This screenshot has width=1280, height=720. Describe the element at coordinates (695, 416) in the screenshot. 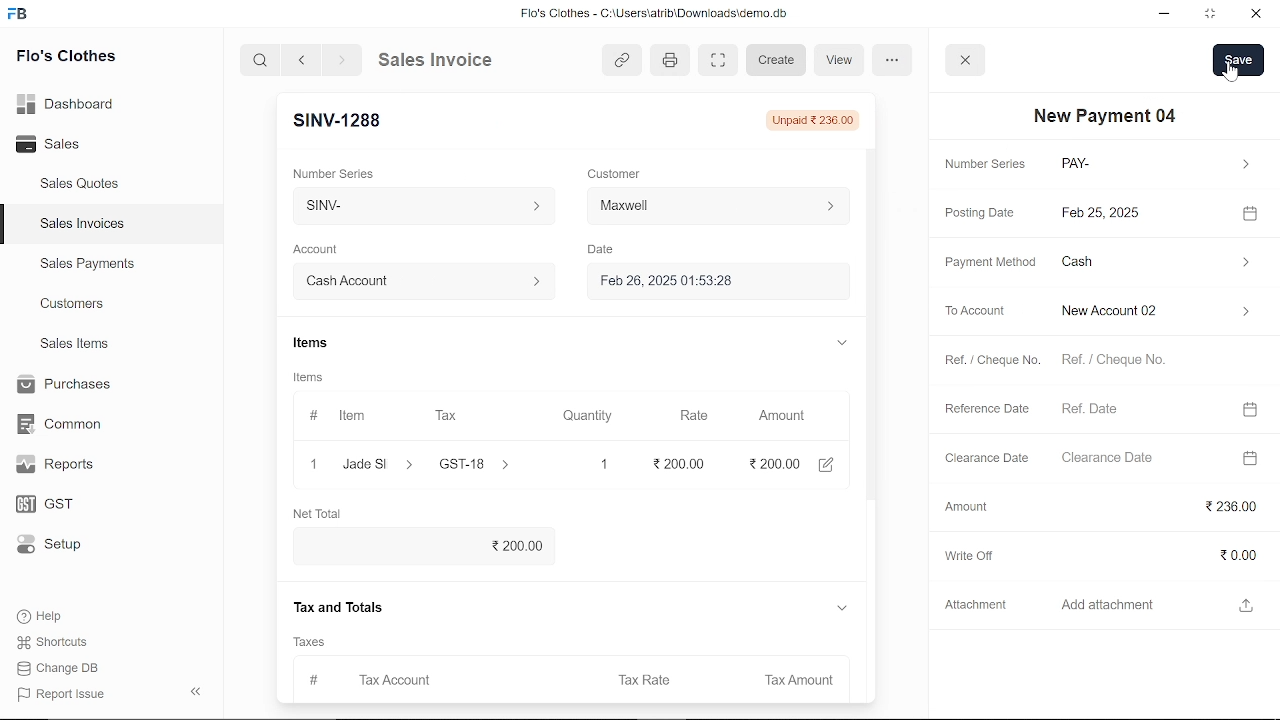

I see `Rate` at that location.